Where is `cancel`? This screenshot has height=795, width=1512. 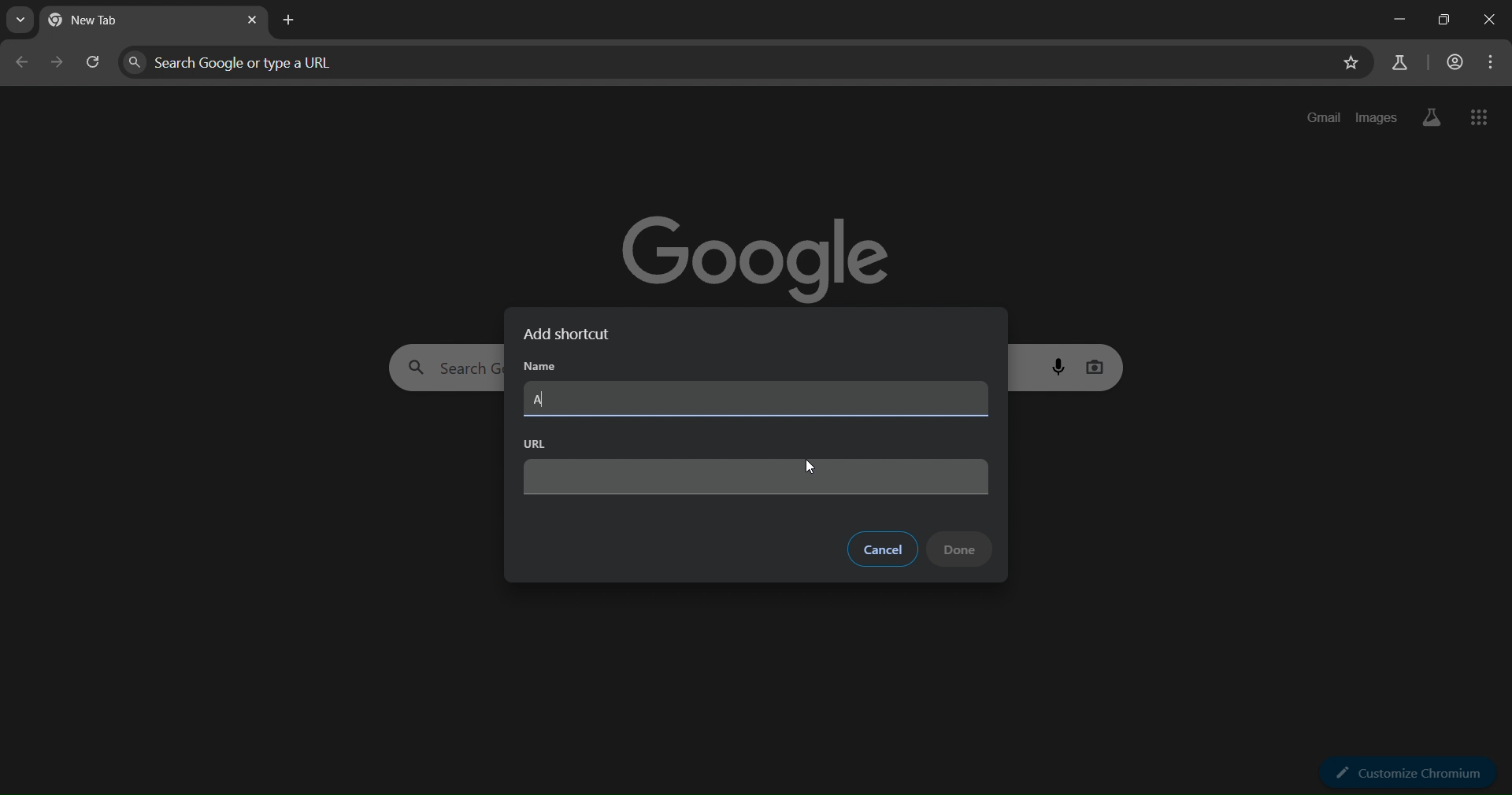
cancel is located at coordinates (883, 549).